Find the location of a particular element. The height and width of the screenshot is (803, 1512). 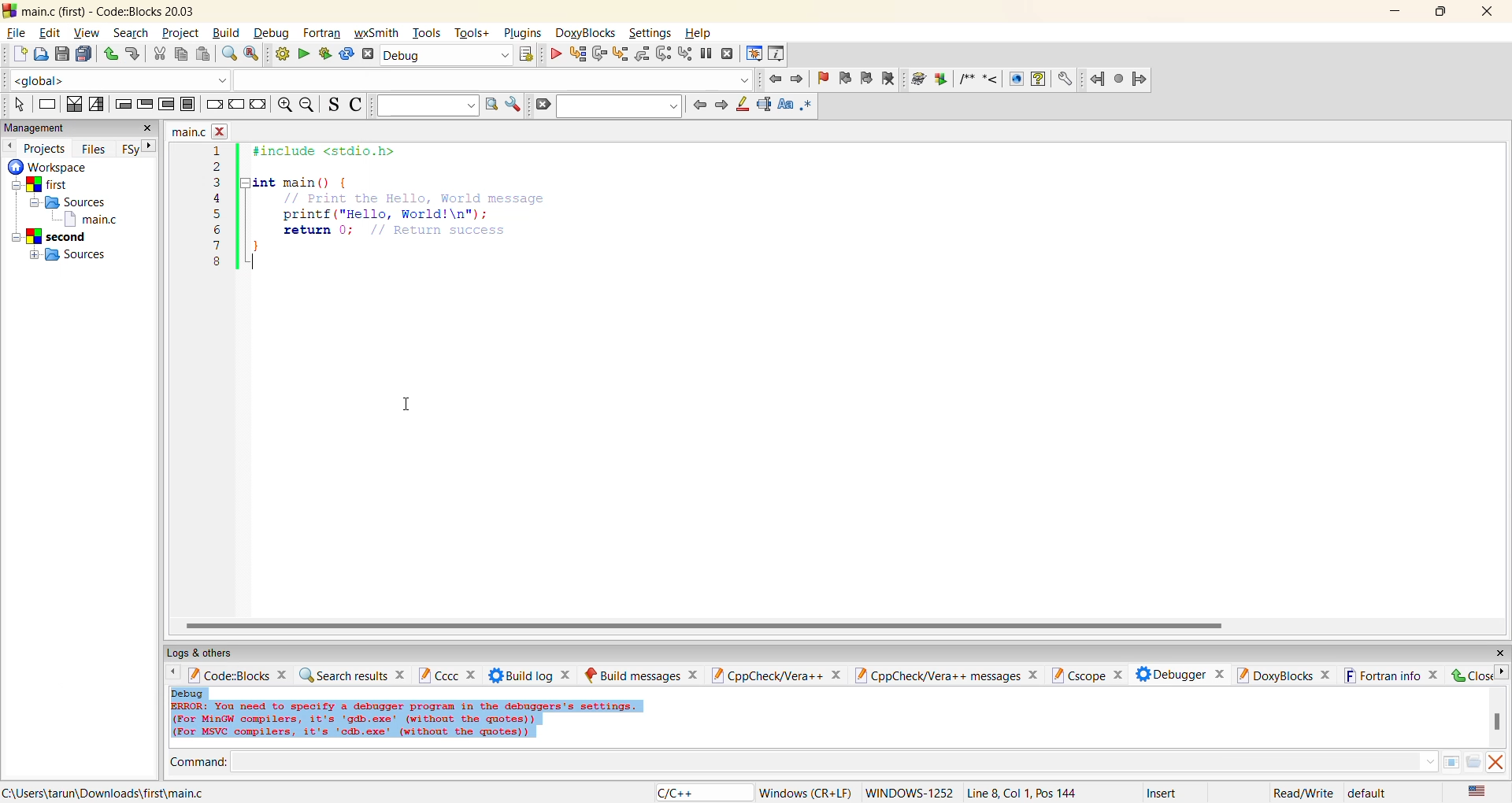

zoom in is located at coordinates (282, 105).